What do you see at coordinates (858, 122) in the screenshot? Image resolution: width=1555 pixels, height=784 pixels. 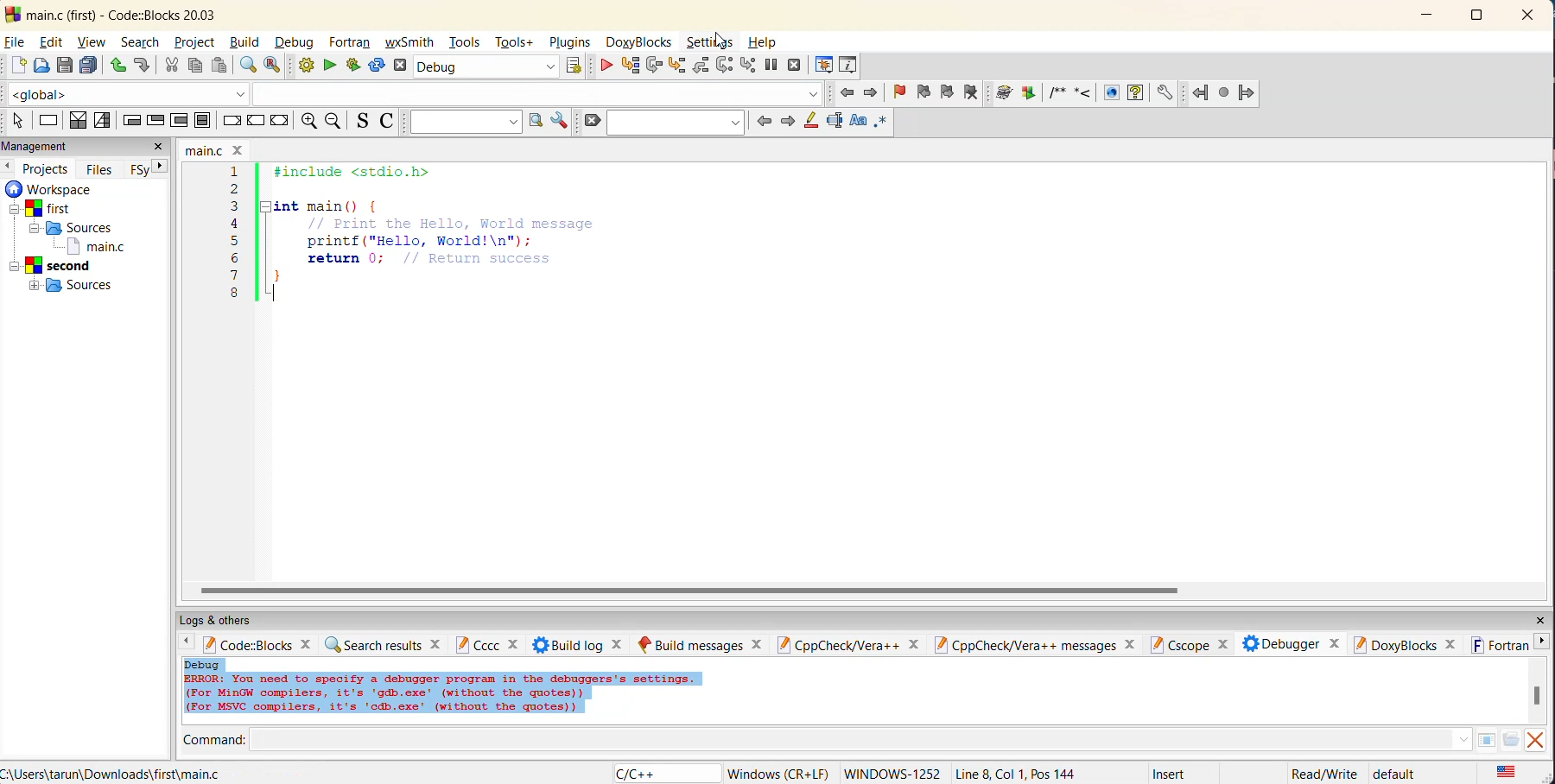 I see `match case` at bounding box center [858, 122].